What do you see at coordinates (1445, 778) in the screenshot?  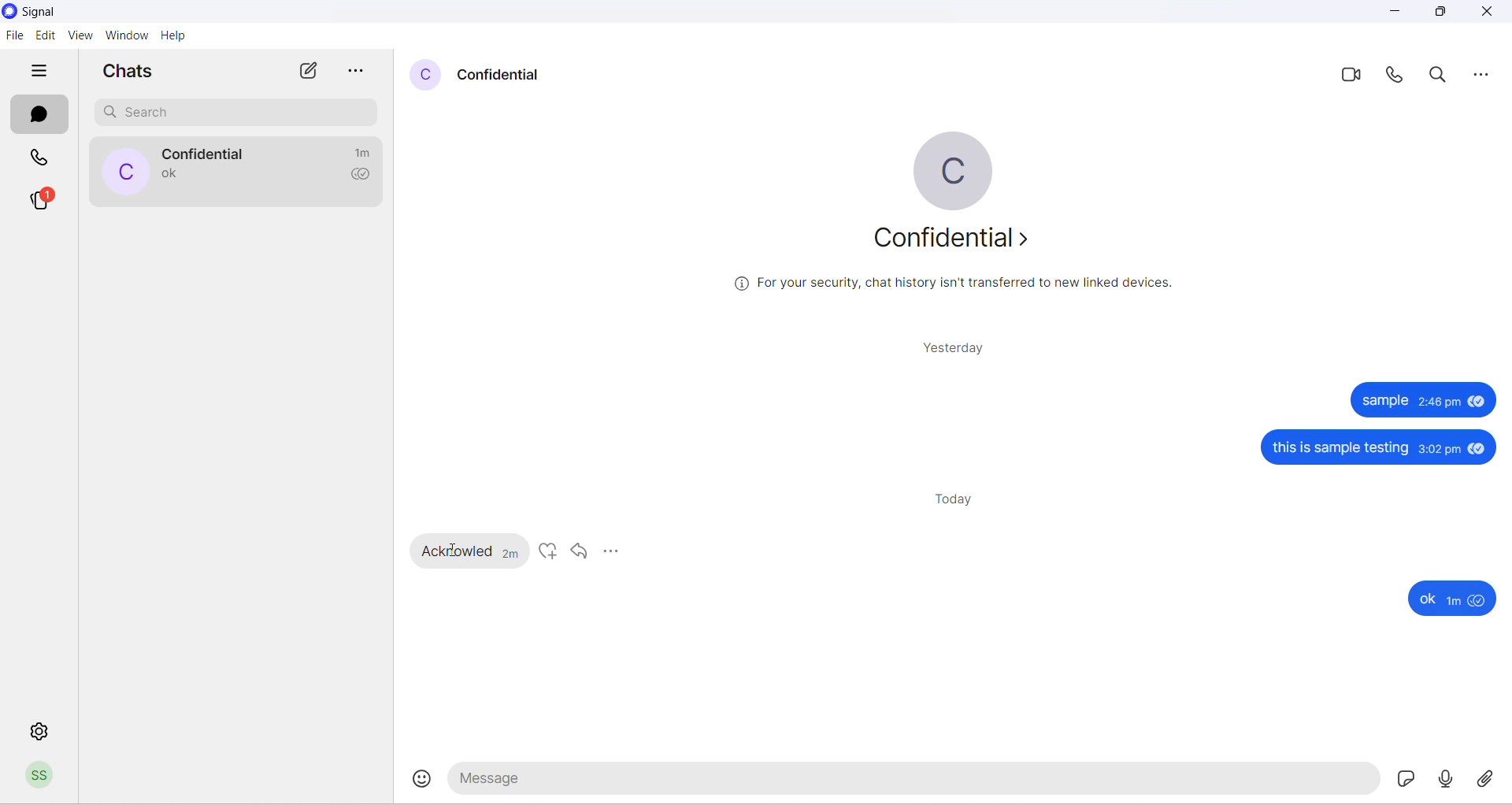 I see `voice mail` at bounding box center [1445, 778].